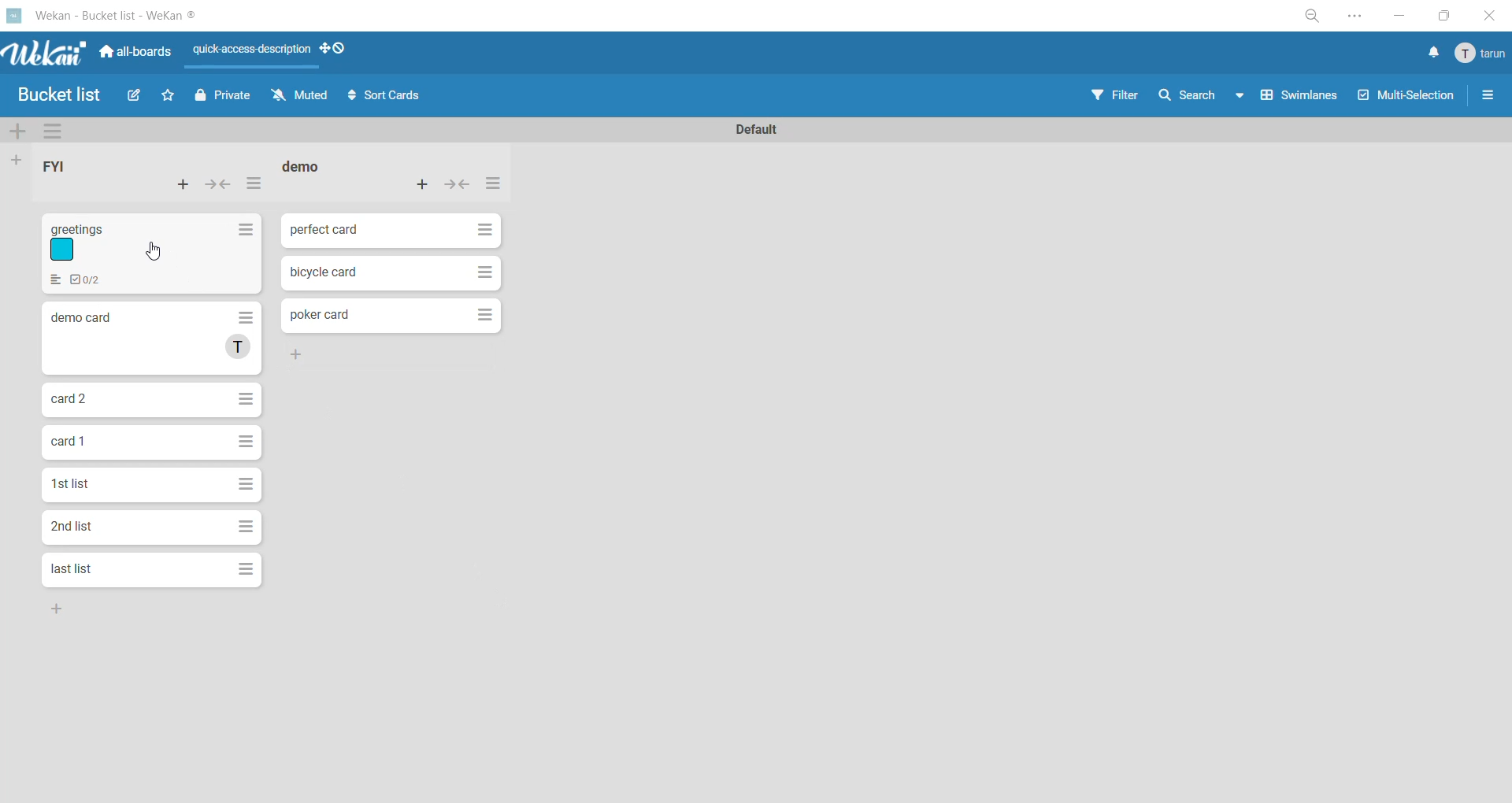 The height and width of the screenshot is (803, 1512). What do you see at coordinates (135, 54) in the screenshot?
I see `all boards` at bounding box center [135, 54].